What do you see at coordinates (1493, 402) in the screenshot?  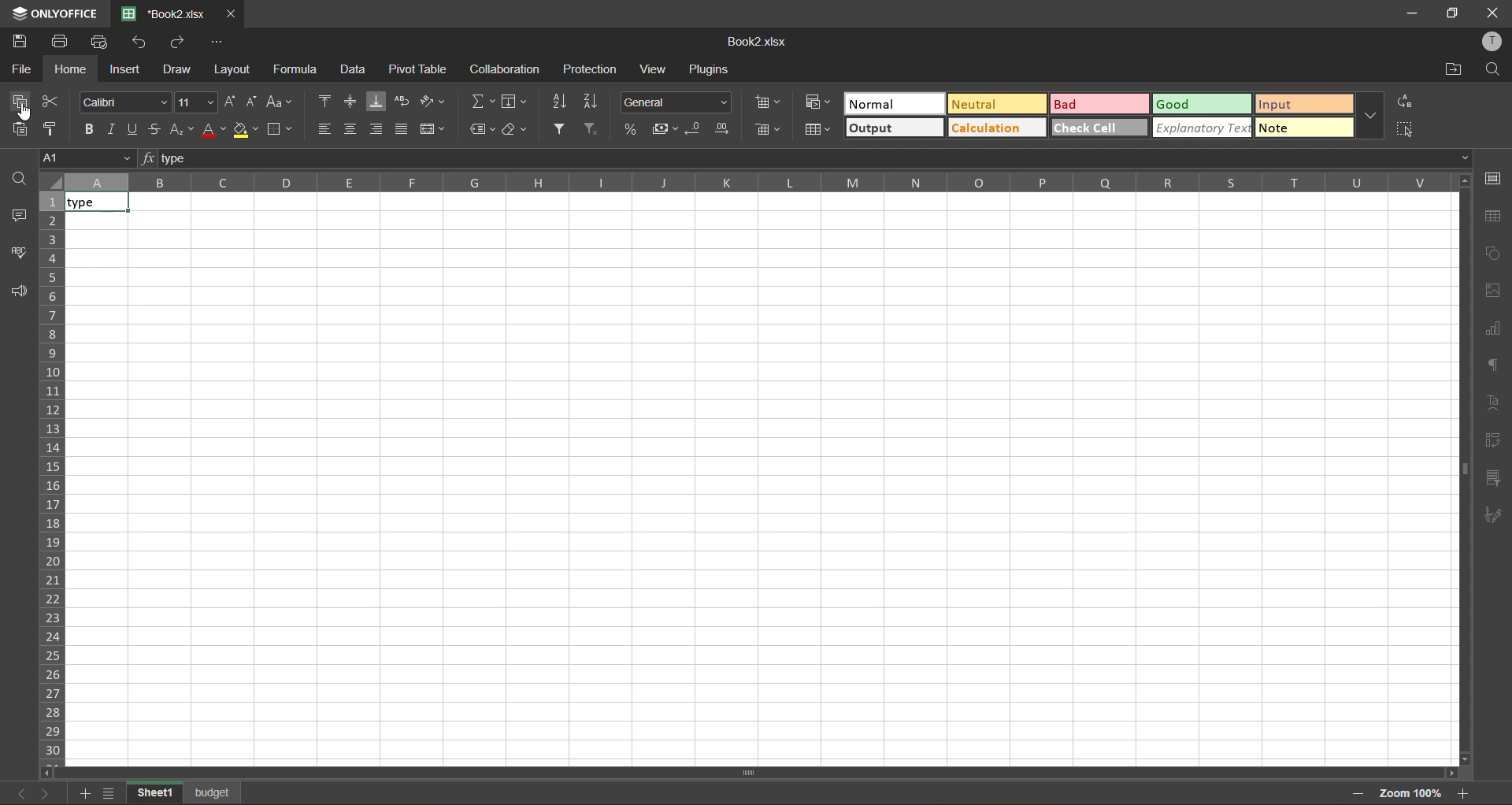 I see `text` at bounding box center [1493, 402].